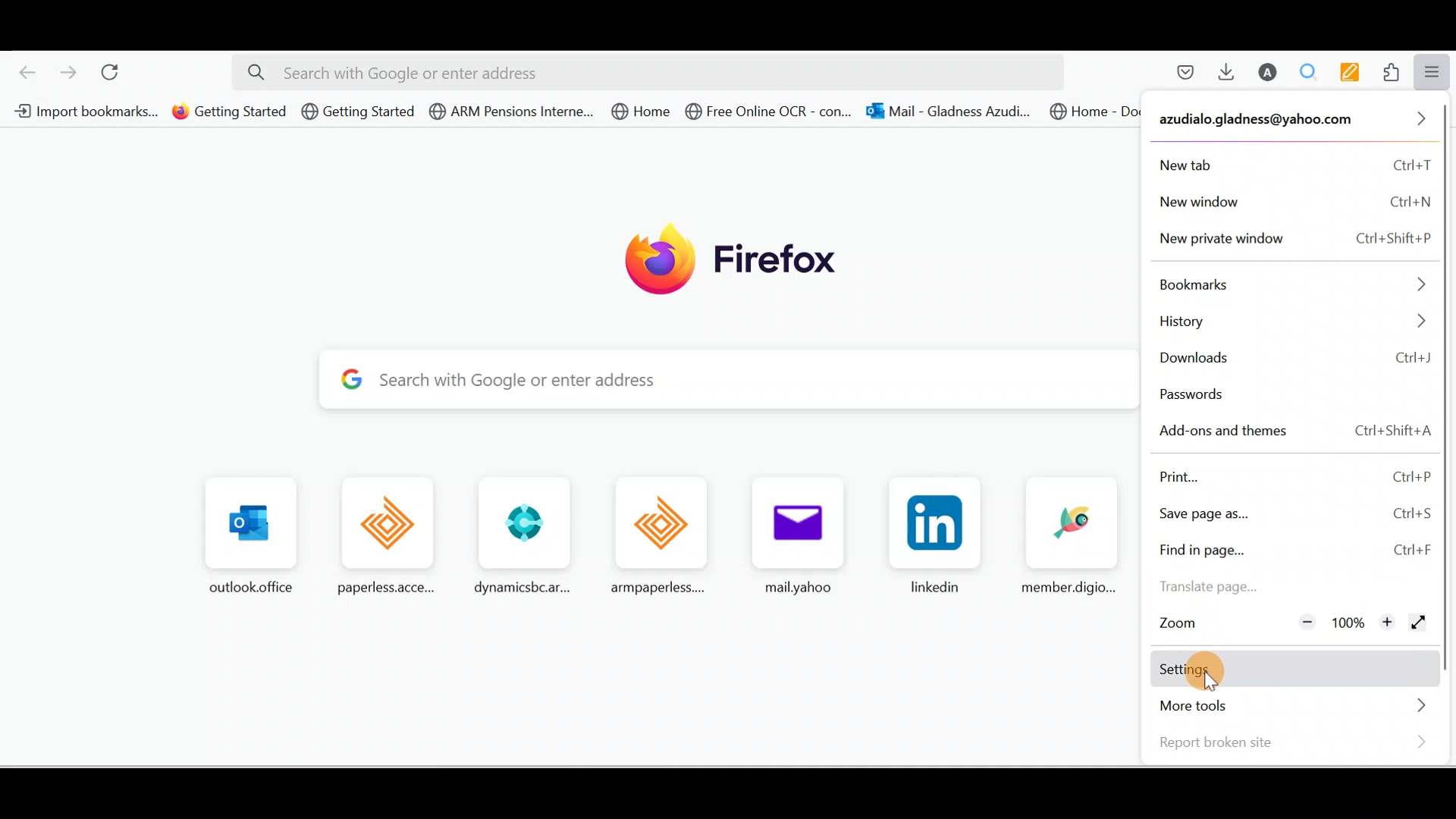 The height and width of the screenshot is (819, 1456). I want to click on Bookmark 2, so click(229, 113).